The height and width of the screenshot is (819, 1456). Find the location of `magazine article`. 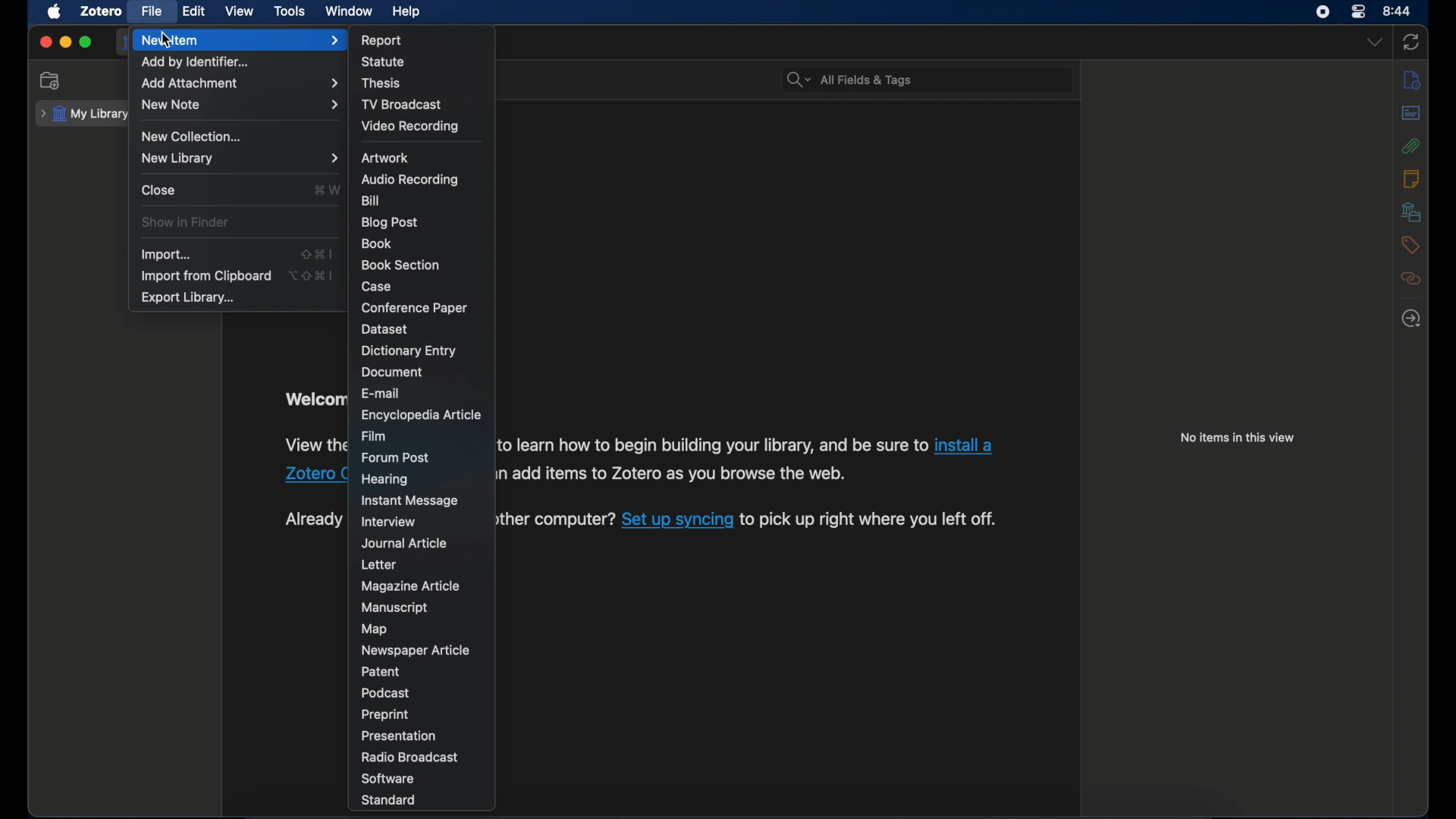

magazine article is located at coordinates (409, 586).